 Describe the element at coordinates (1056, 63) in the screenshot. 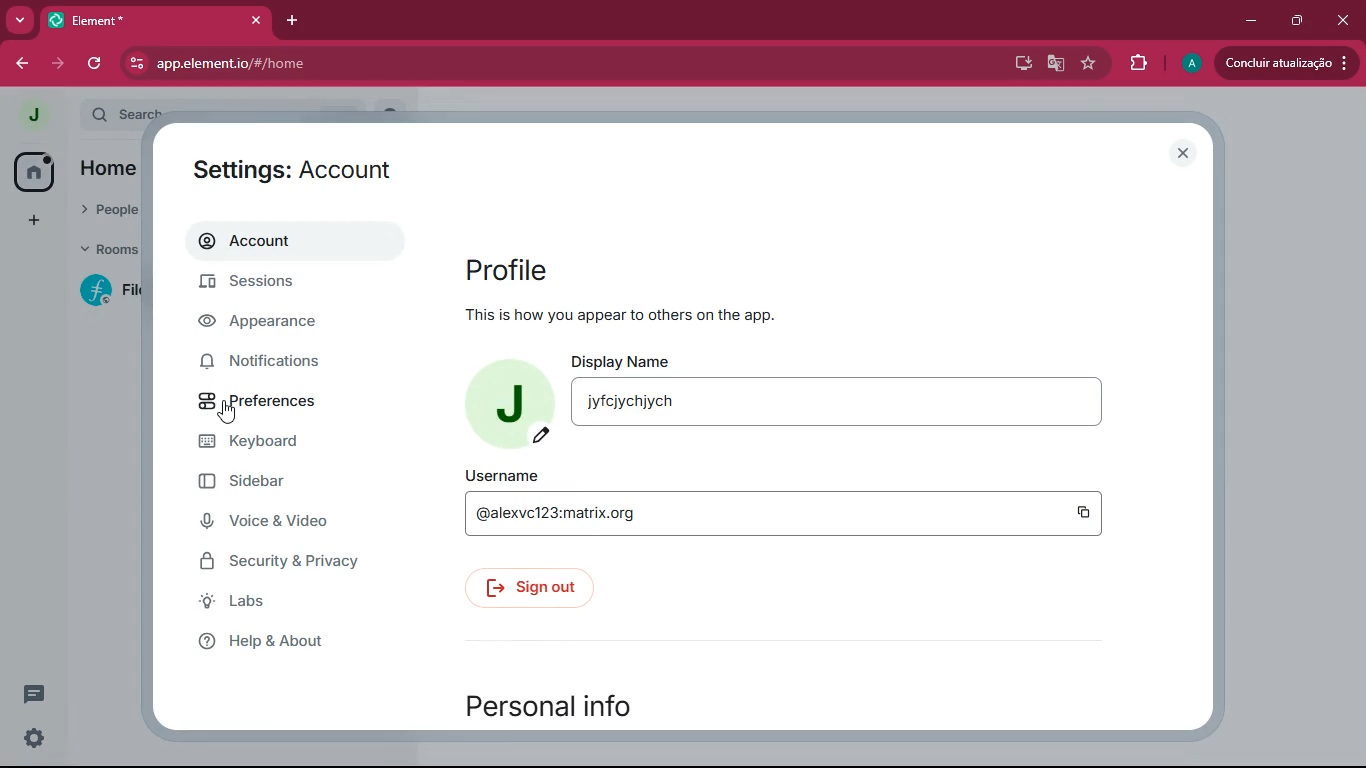

I see `google translate` at that location.